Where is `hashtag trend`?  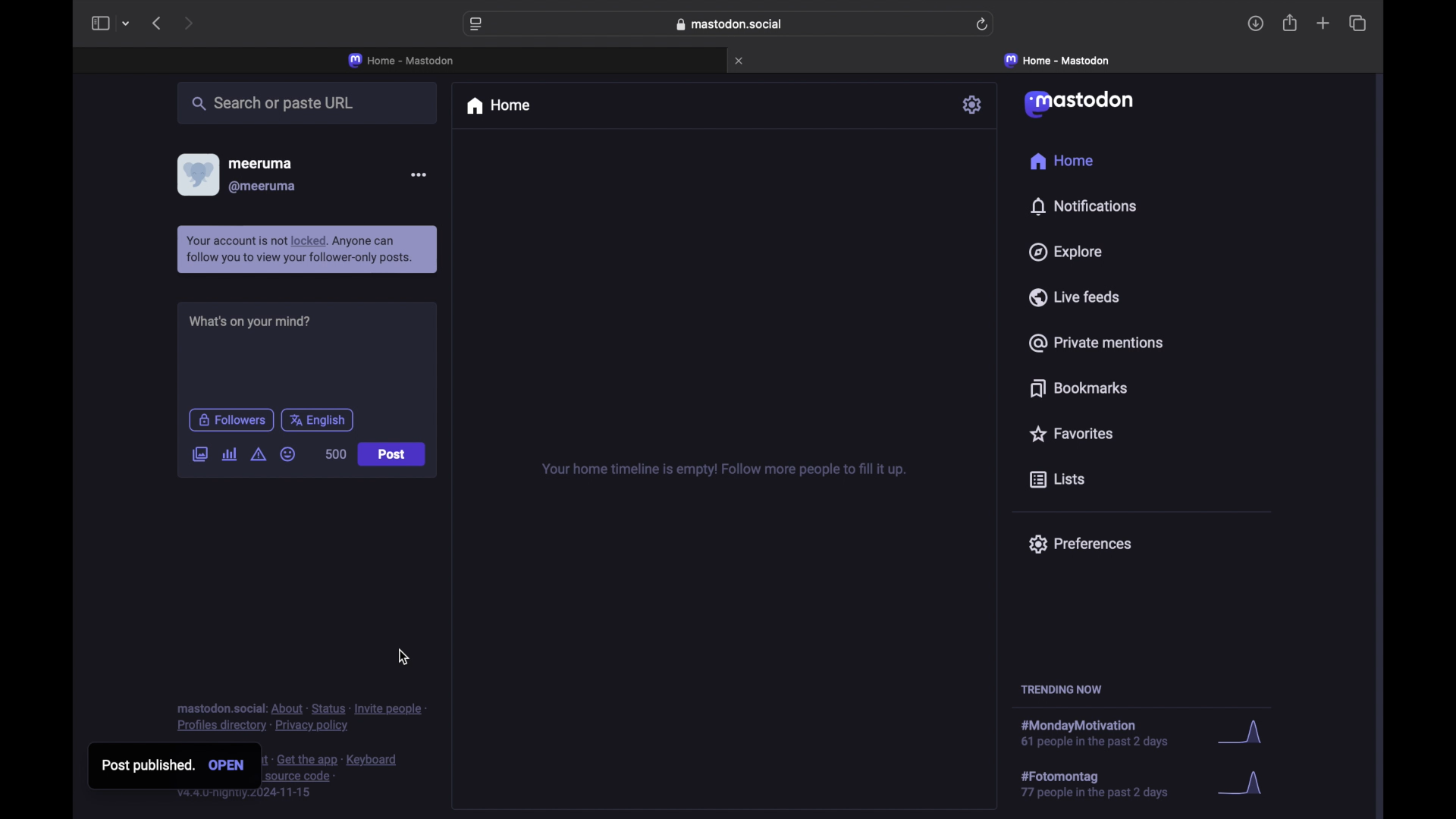 hashtag trend is located at coordinates (1105, 785).